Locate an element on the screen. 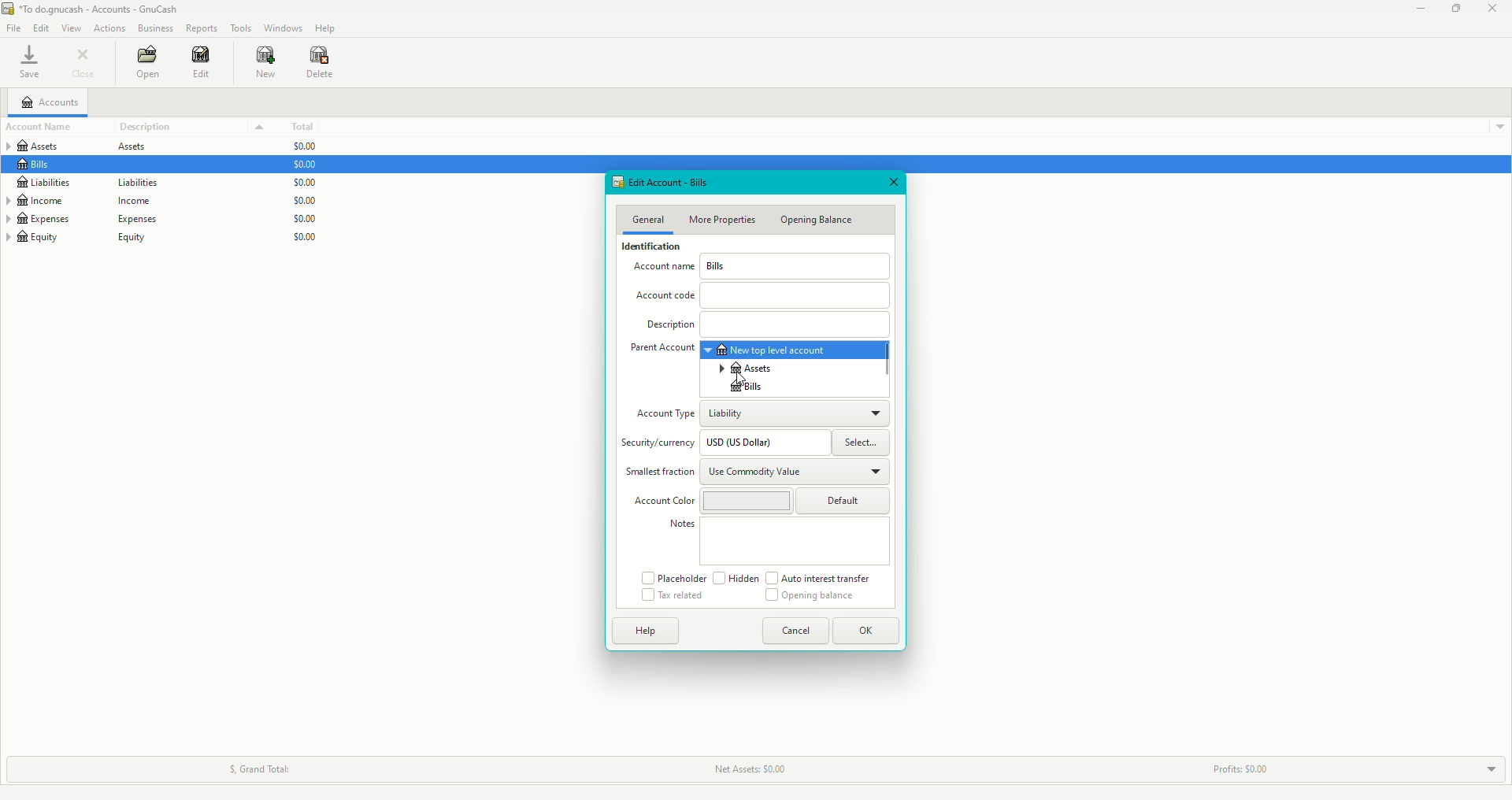 The width and height of the screenshot is (1512, 800). Windows is located at coordinates (283, 28).